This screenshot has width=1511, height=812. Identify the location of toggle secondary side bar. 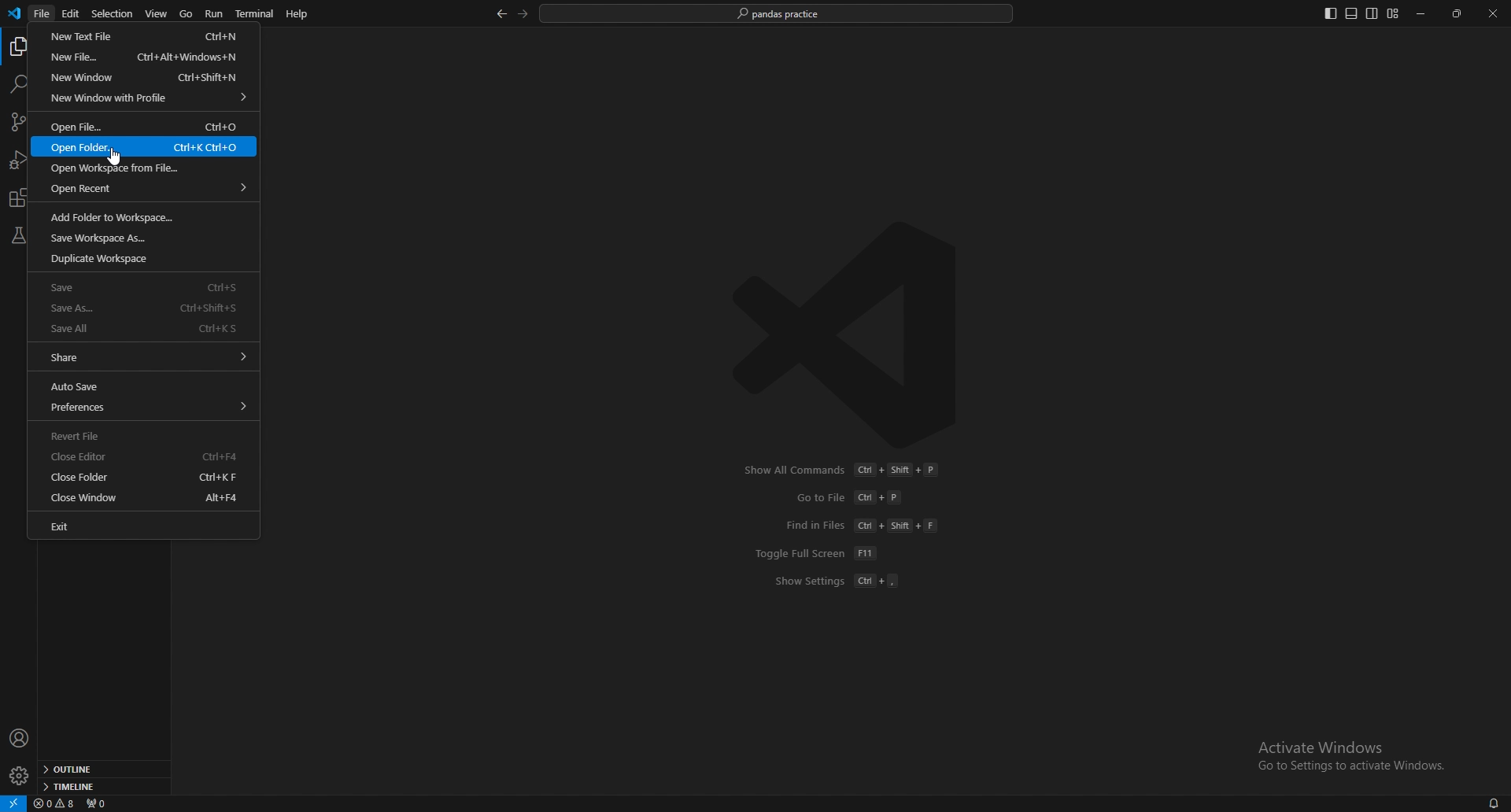
(1372, 13).